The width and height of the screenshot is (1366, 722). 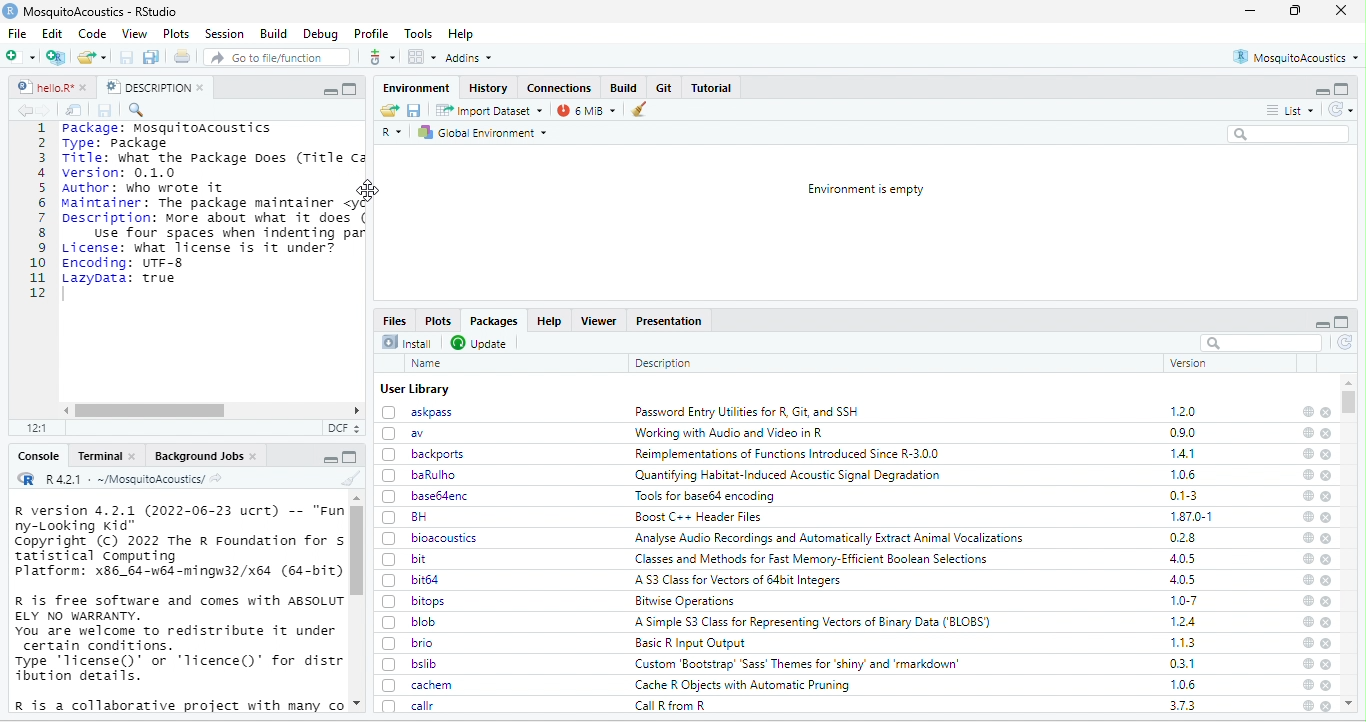 I want to click on base64enc, so click(x=425, y=495).